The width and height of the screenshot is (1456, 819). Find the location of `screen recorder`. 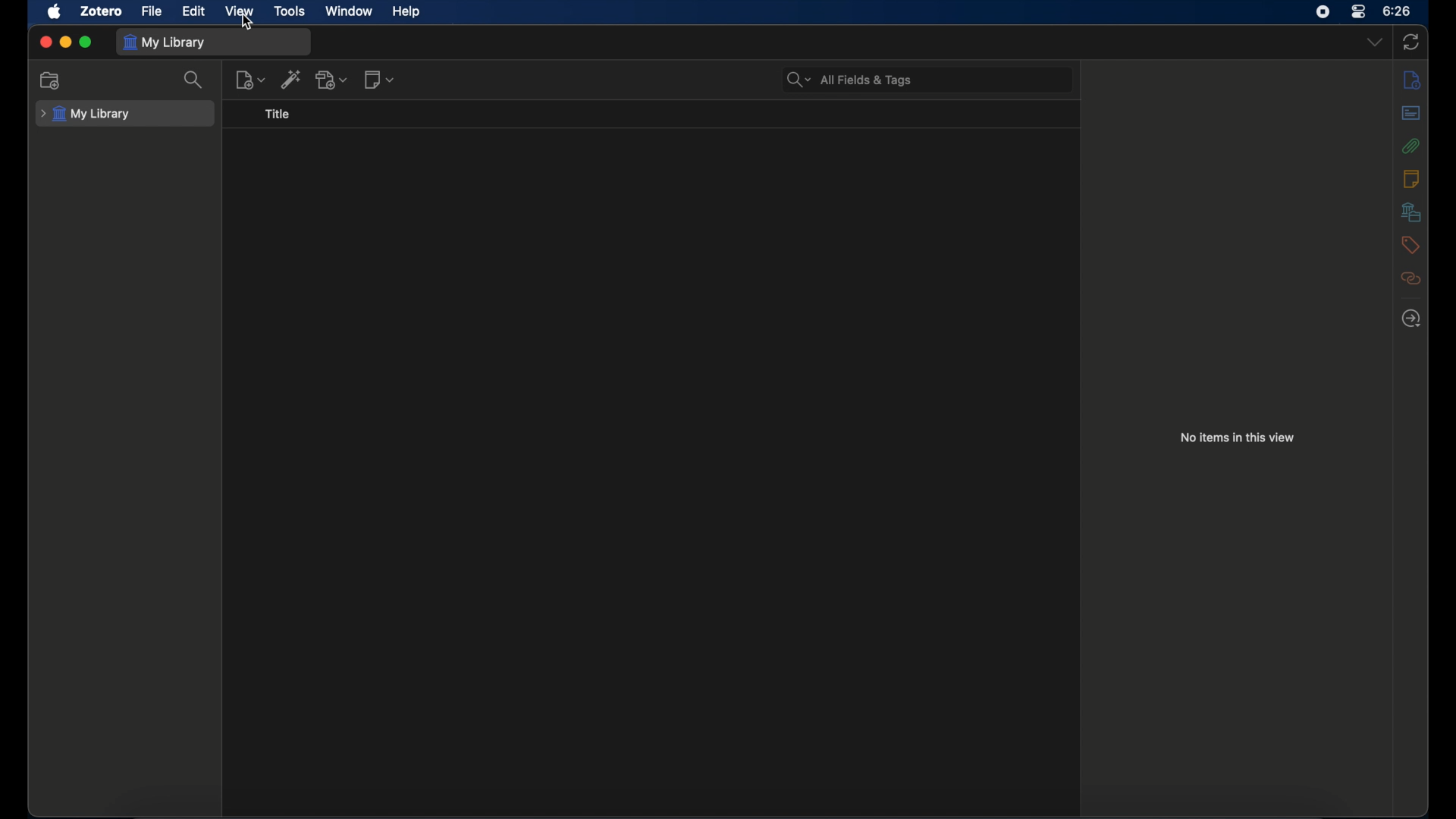

screen recorder is located at coordinates (1323, 11).